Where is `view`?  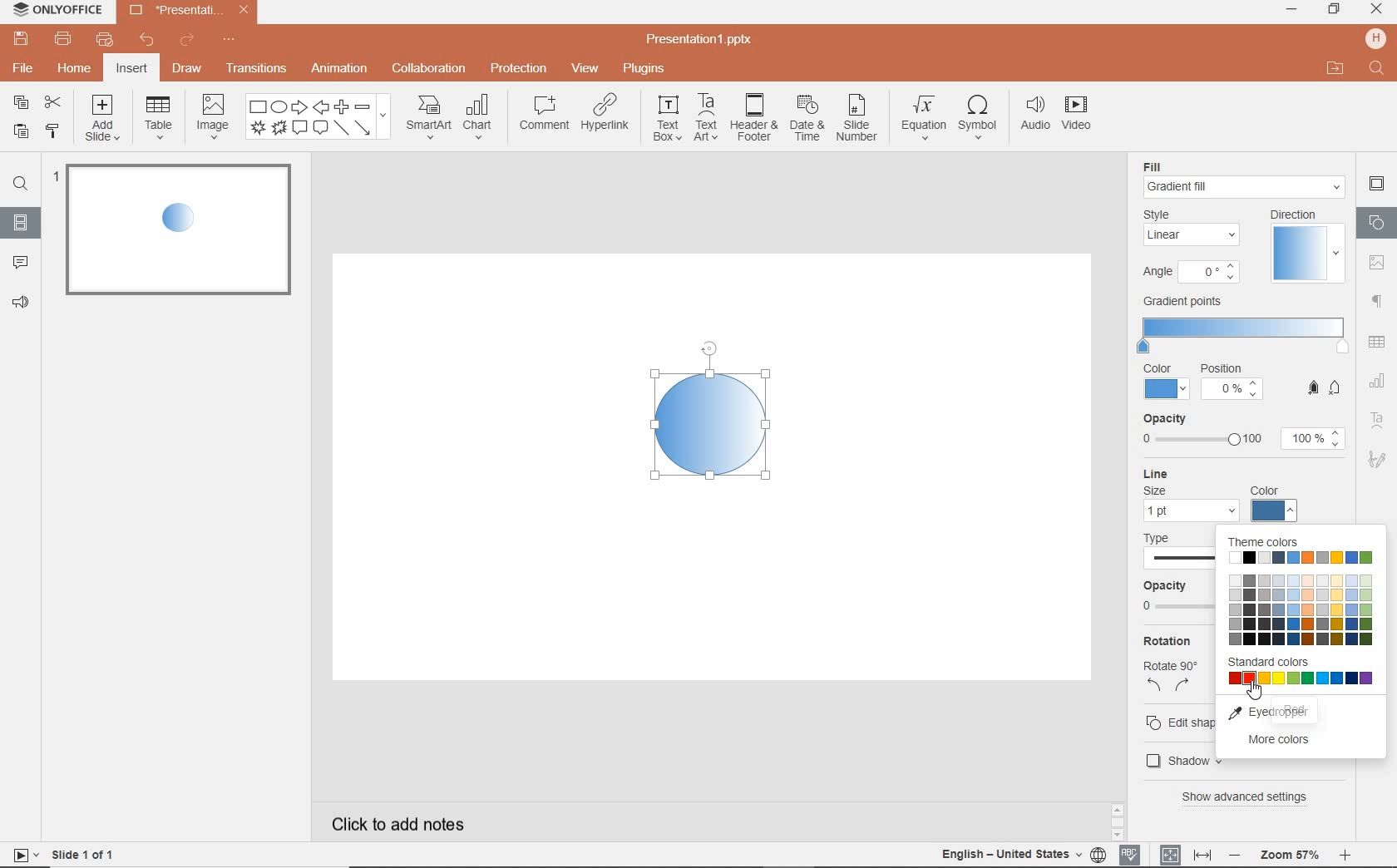 view is located at coordinates (584, 70).